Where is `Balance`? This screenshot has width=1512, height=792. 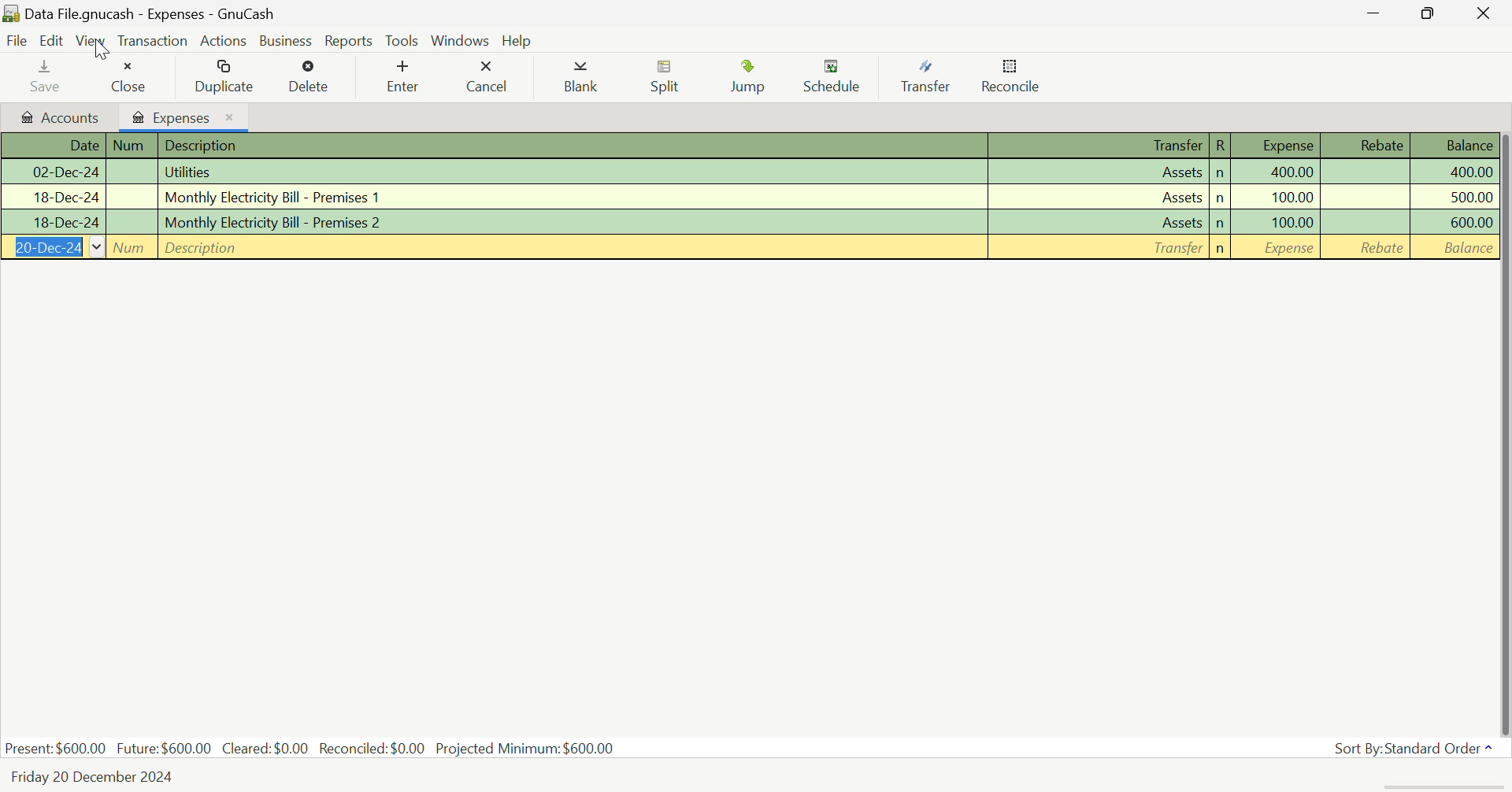 Balance is located at coordinates (1451, 147).